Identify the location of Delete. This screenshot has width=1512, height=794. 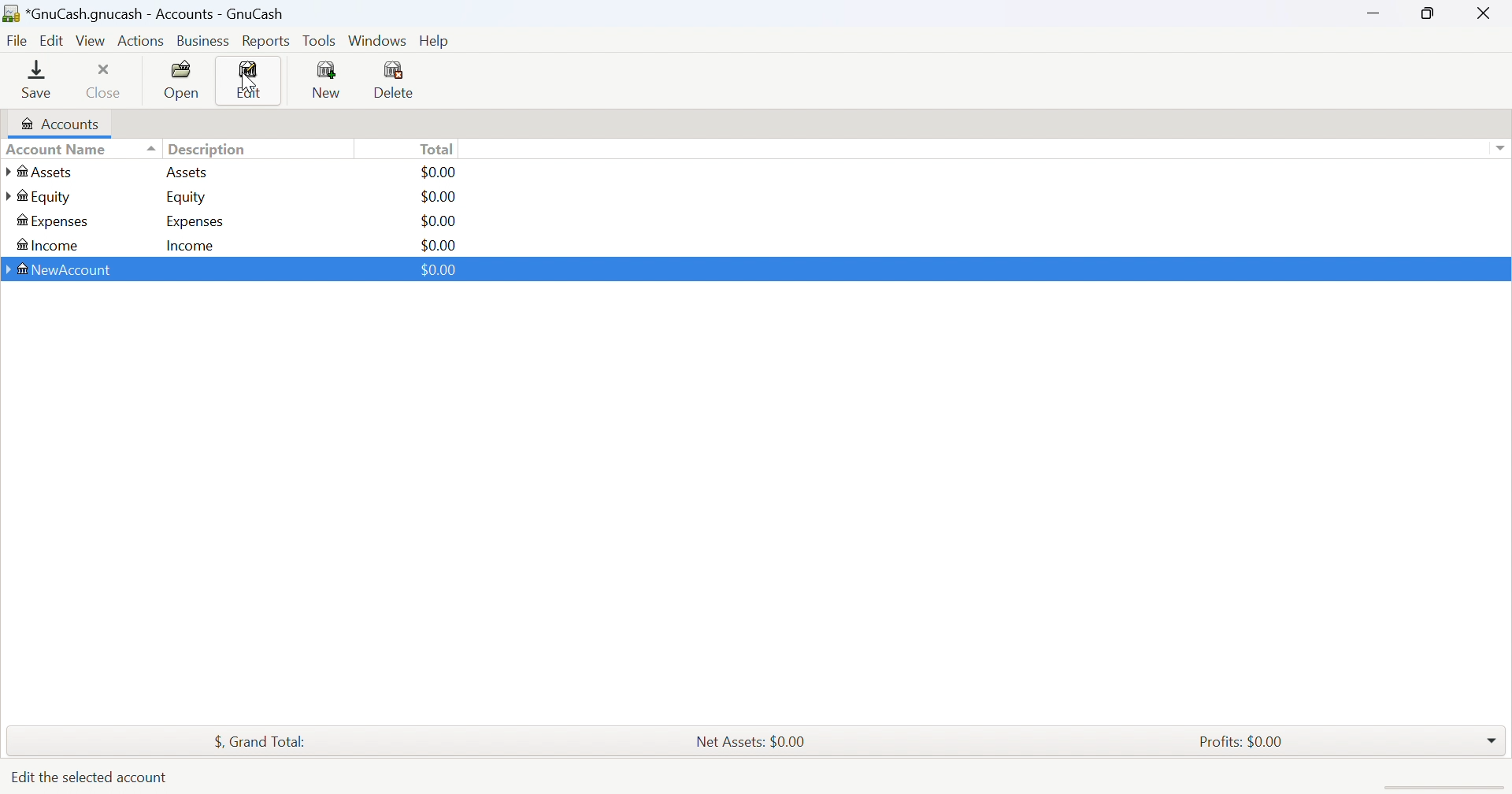
(398, 82).